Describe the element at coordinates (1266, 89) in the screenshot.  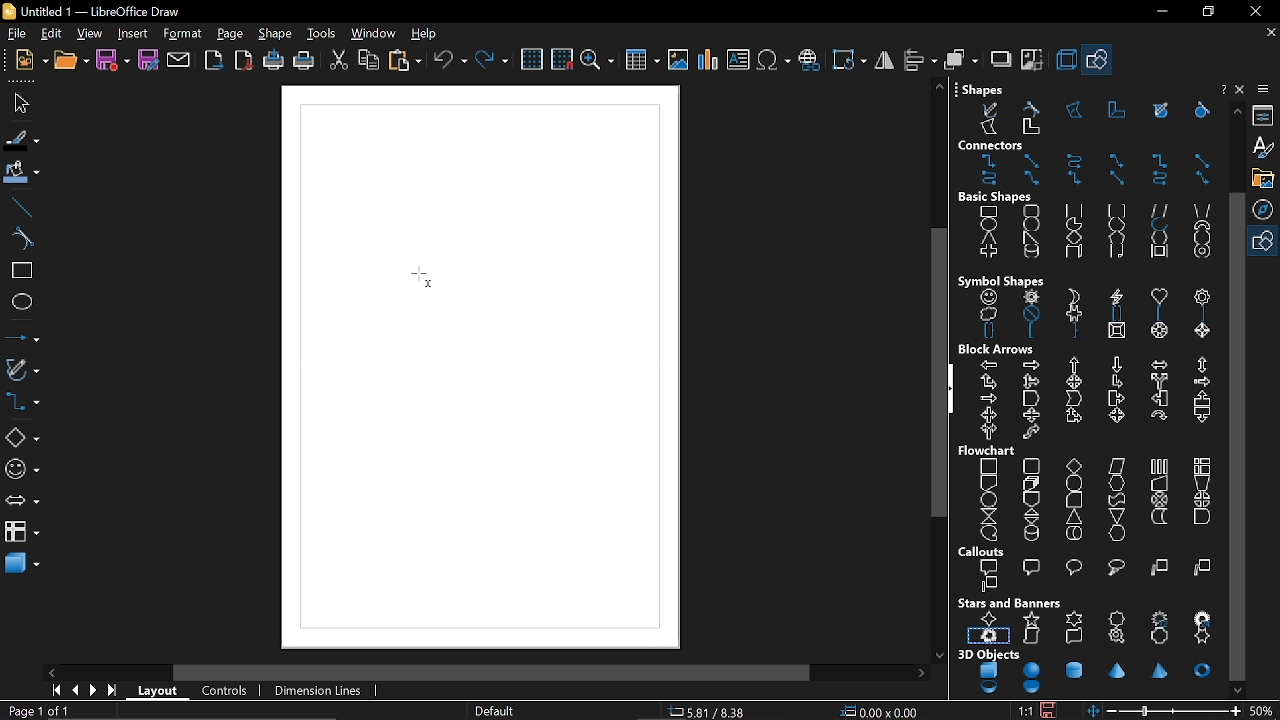
I see `Sidebar settings` at that location.